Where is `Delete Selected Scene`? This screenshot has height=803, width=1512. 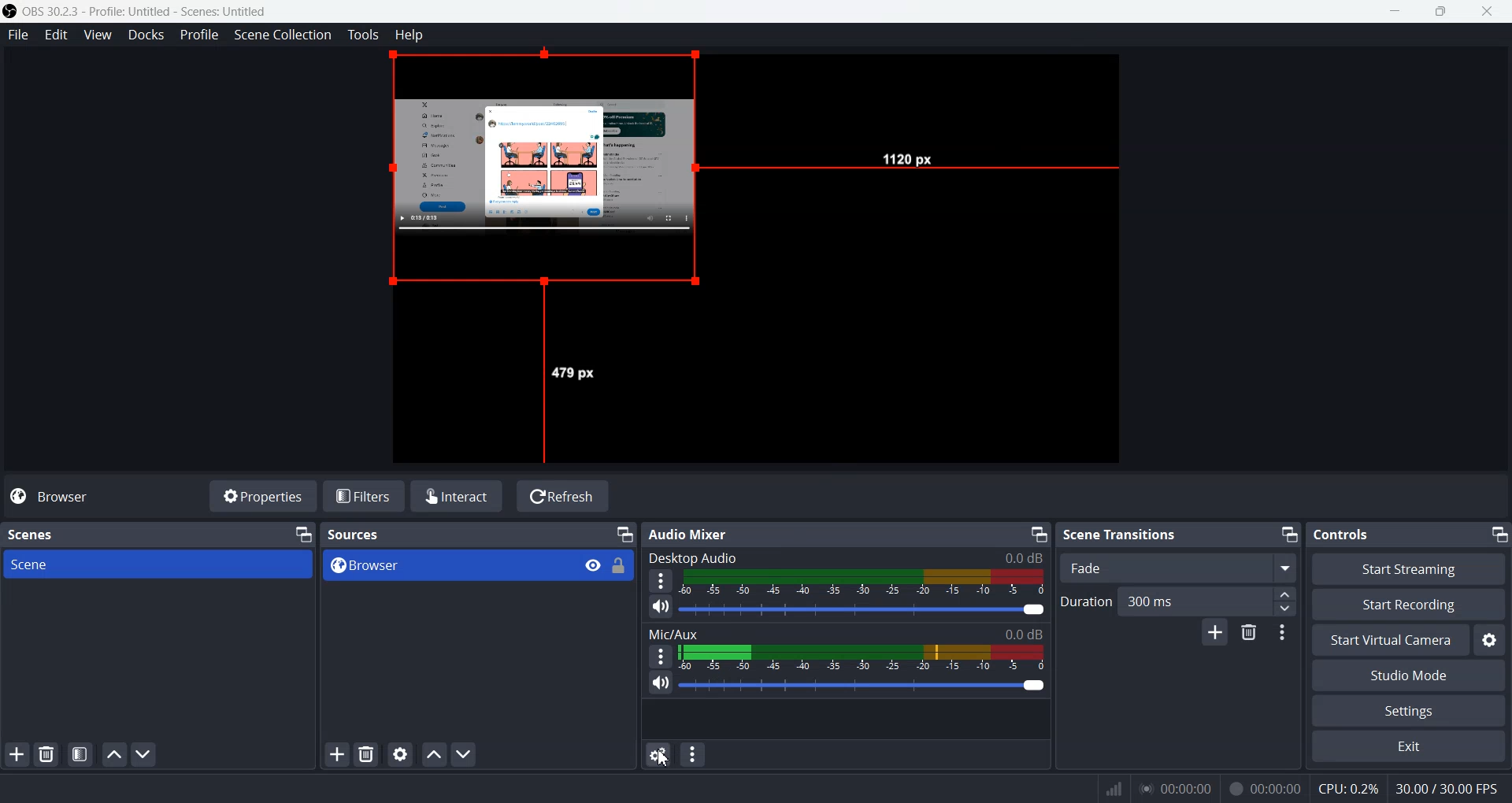
Delete Selected Scene is located at coordinates (46, 755).